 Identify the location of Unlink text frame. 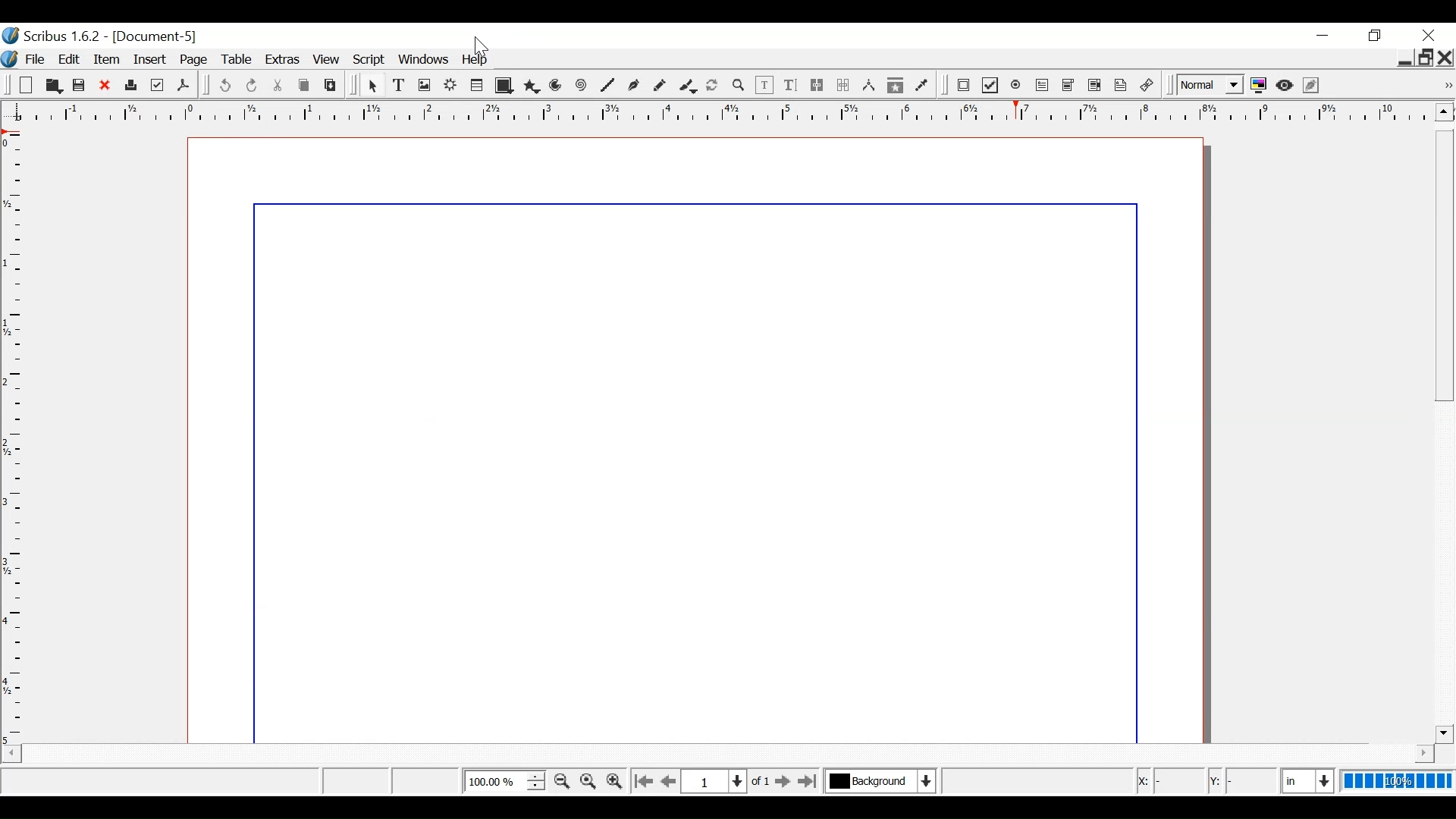
(843, 86).